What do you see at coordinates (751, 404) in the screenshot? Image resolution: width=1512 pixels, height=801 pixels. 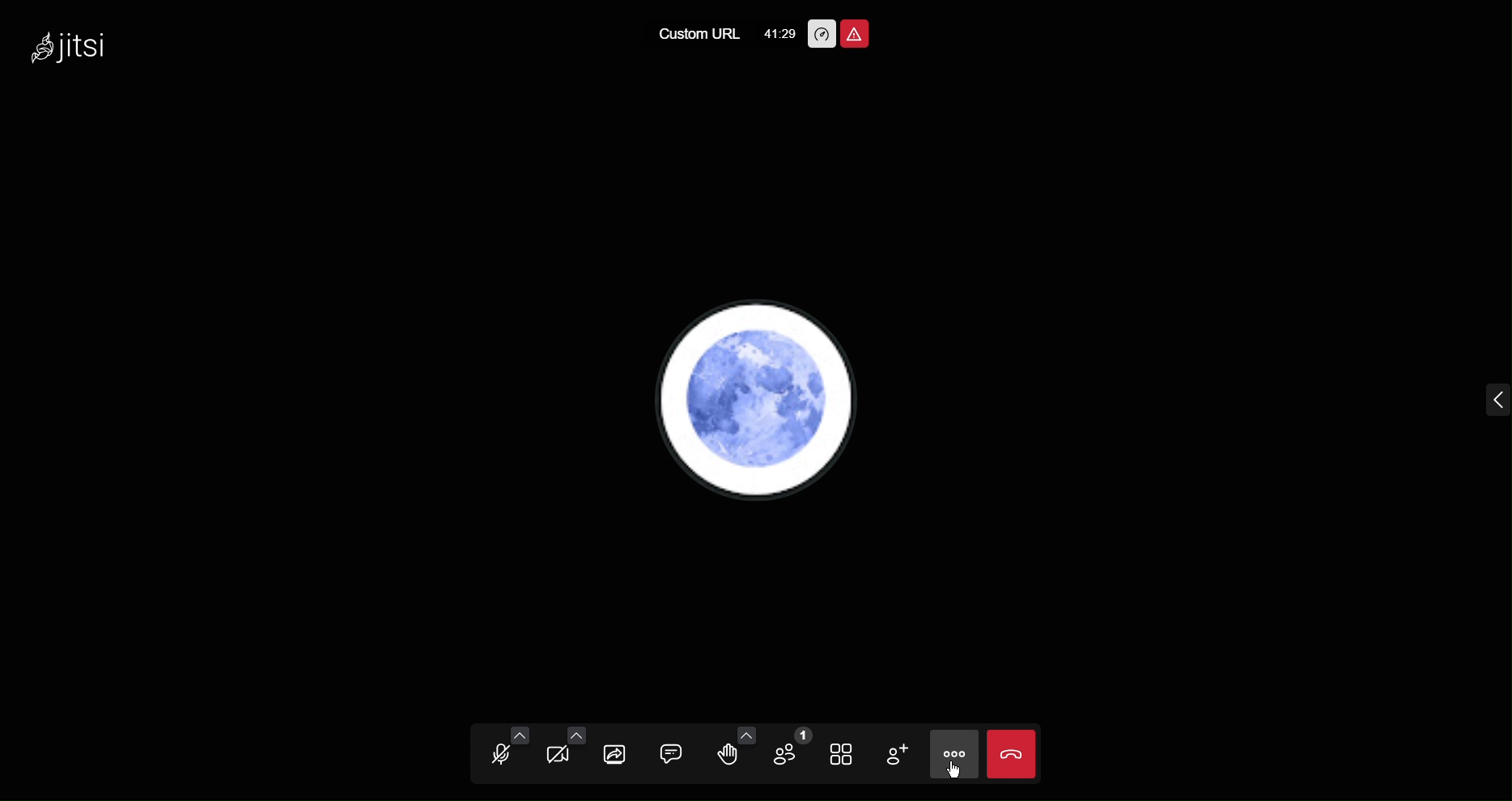 I see `Account Profile Picture` at bounding box center [751, 404].